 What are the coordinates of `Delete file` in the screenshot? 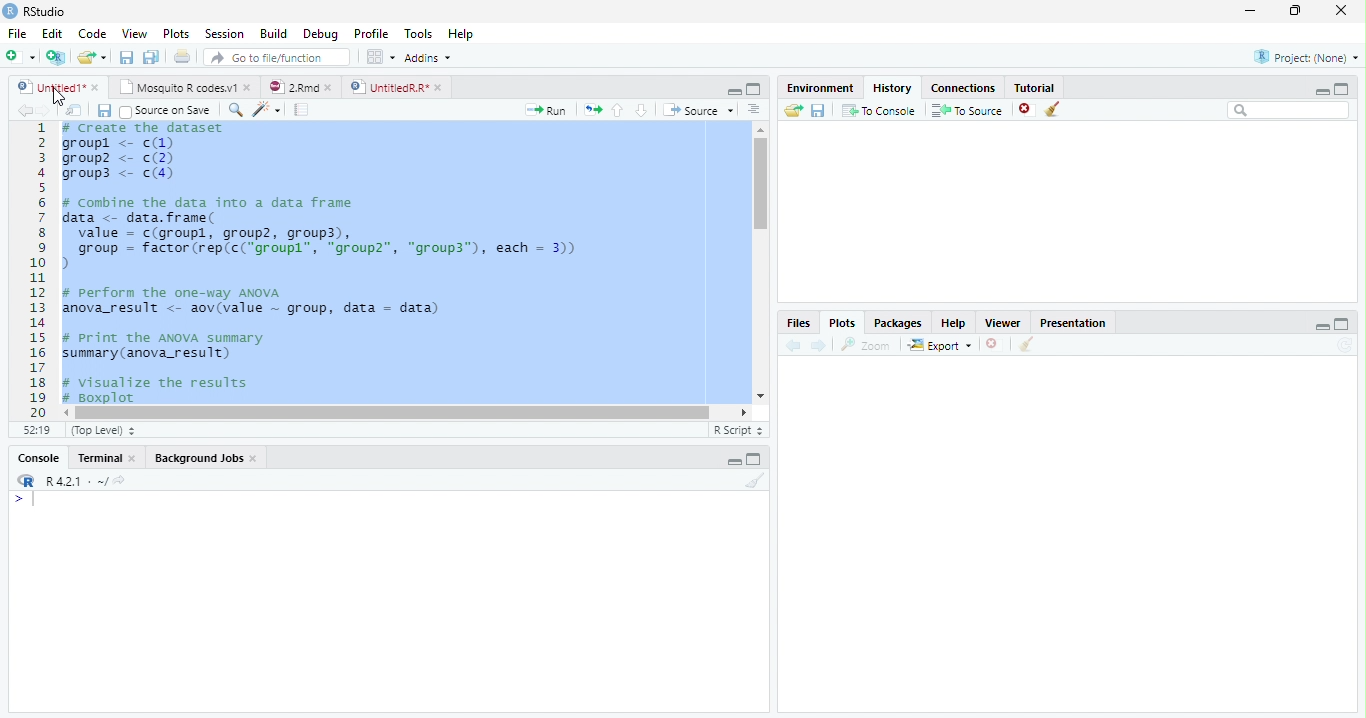 It's located at (1028, 109).